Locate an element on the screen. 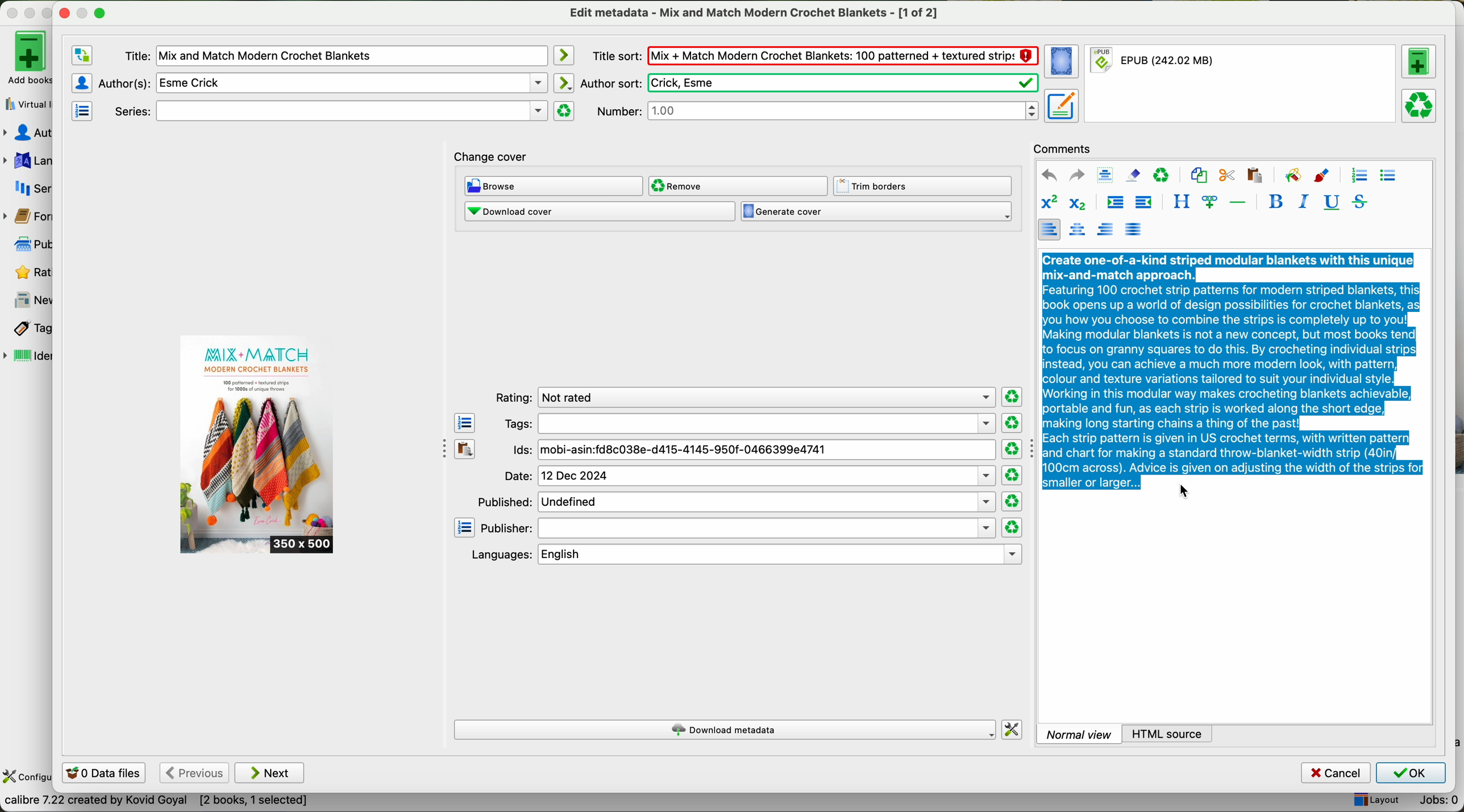  formats is located at coordinates (26, 216).